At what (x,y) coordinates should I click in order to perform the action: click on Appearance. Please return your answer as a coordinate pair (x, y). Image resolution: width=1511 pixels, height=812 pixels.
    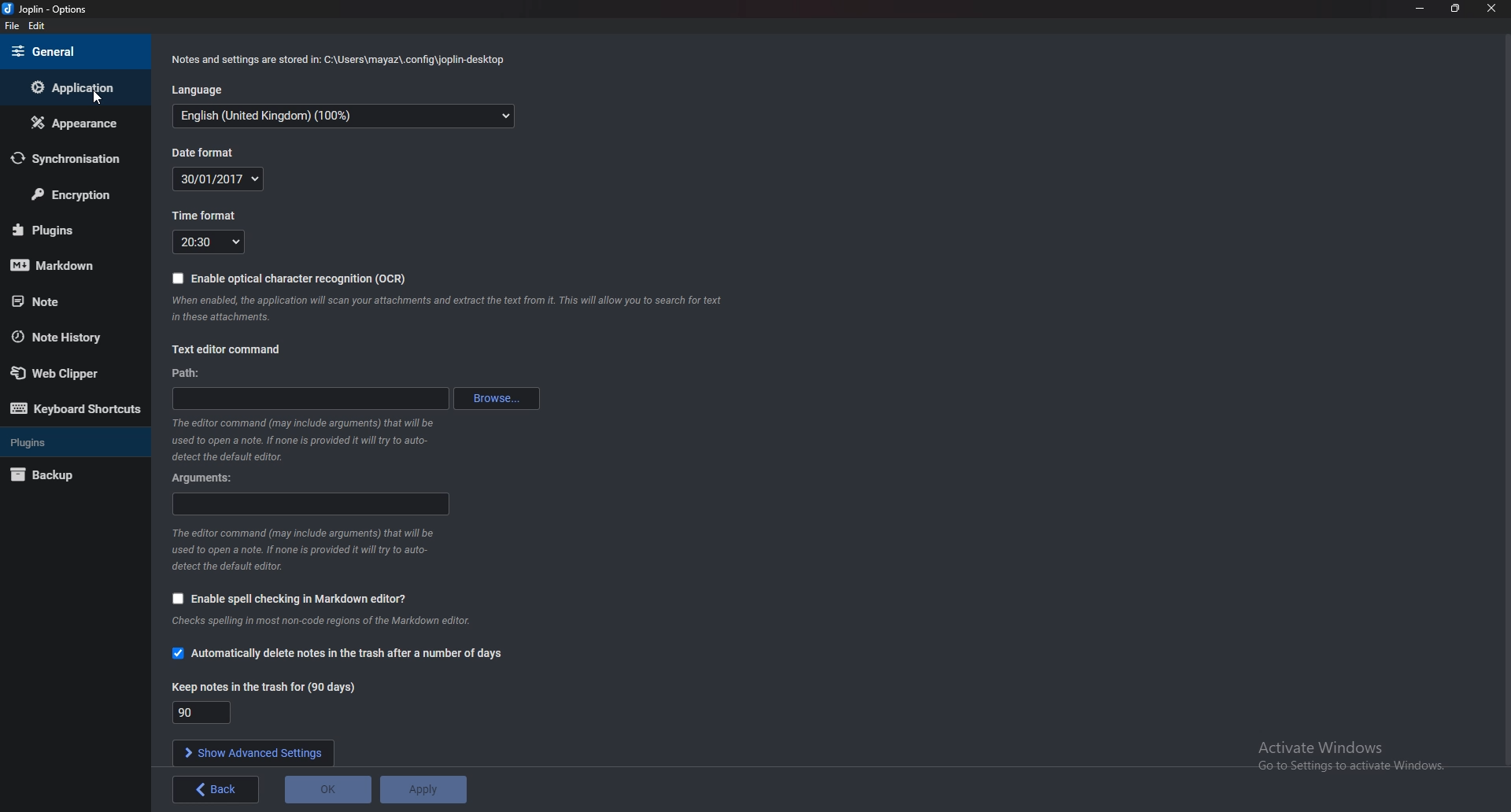
    Looking at the image, I should click on (72, 124).